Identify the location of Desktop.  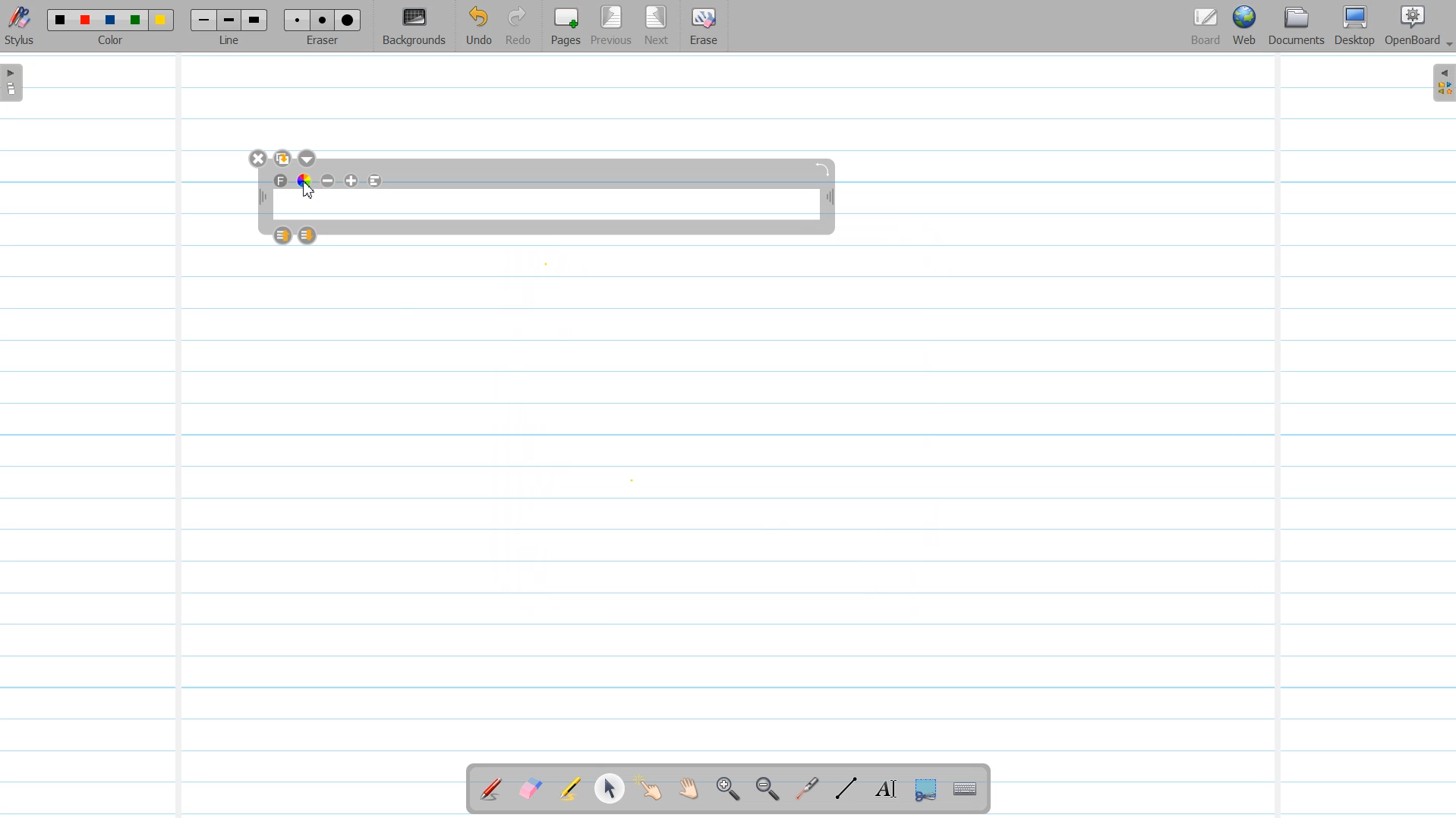
(1354, 27).